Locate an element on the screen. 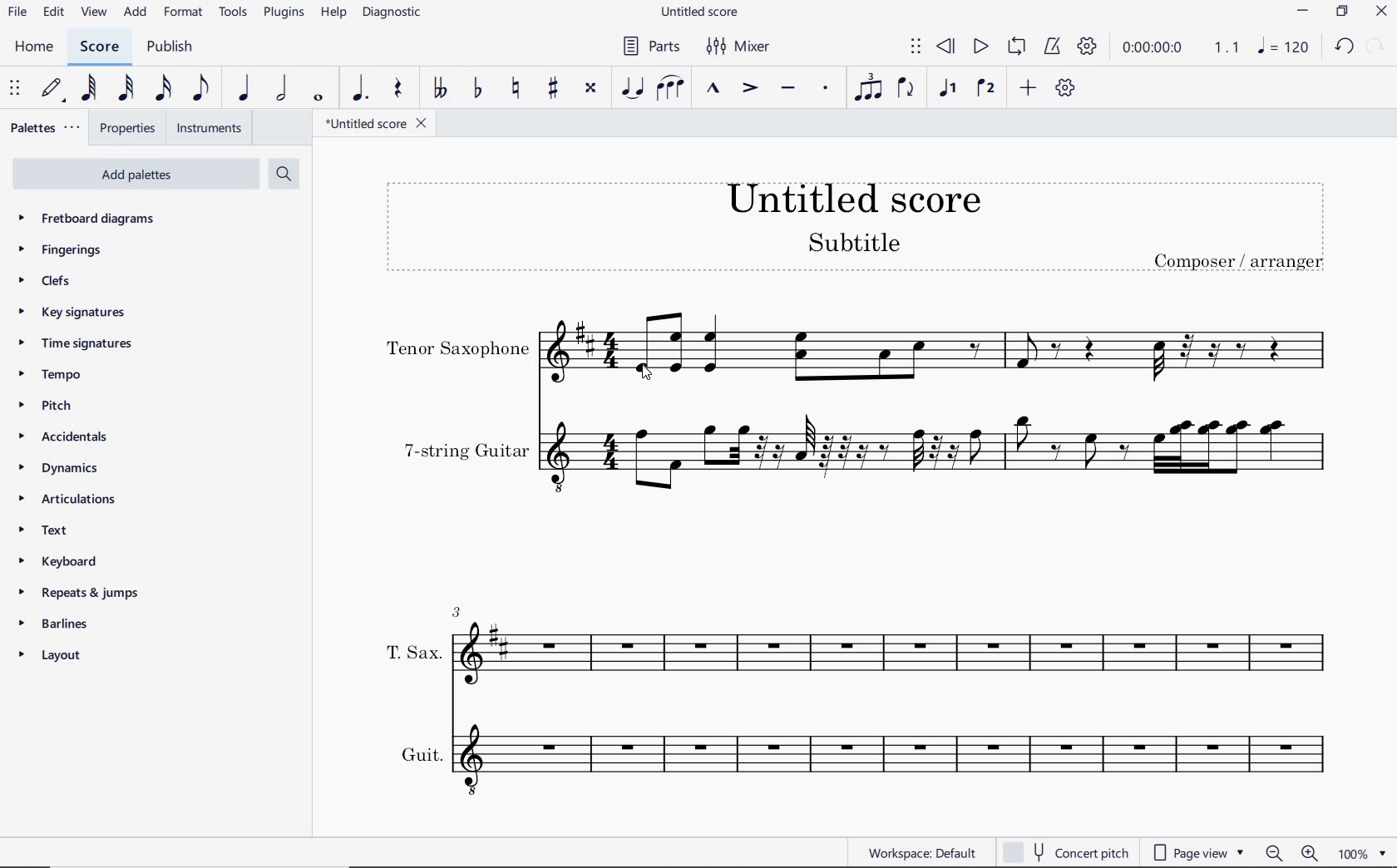 The width and height of the screenshot is (1397, 868). HELP is located at coordinates (332, 13).